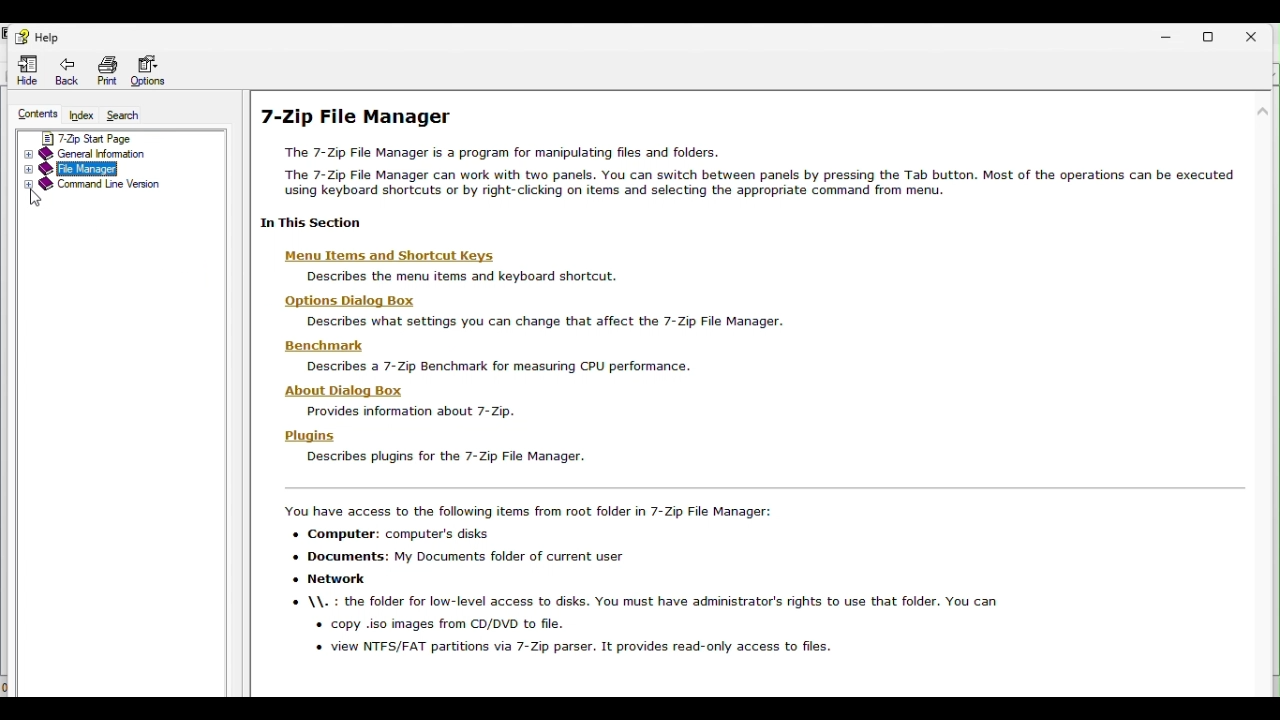 Image resolution: width=1280 pixels, height=720 pixels. Describe the element at coordinates (314, 438) in the screenshot. I see `Plugins` at that location.